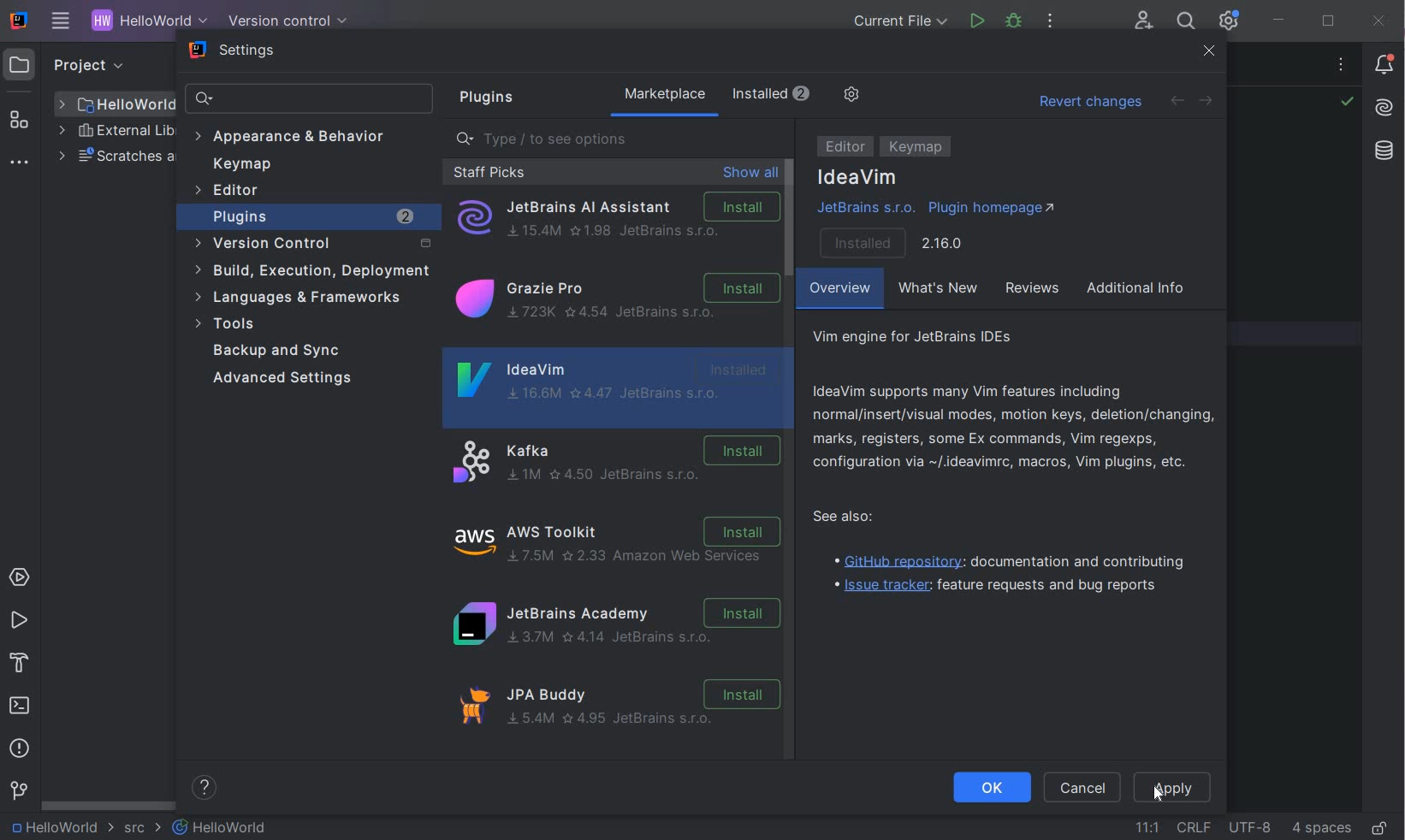 The height and width of the screenshot is (840, 1405). I want to click on help, so click(207, 788).